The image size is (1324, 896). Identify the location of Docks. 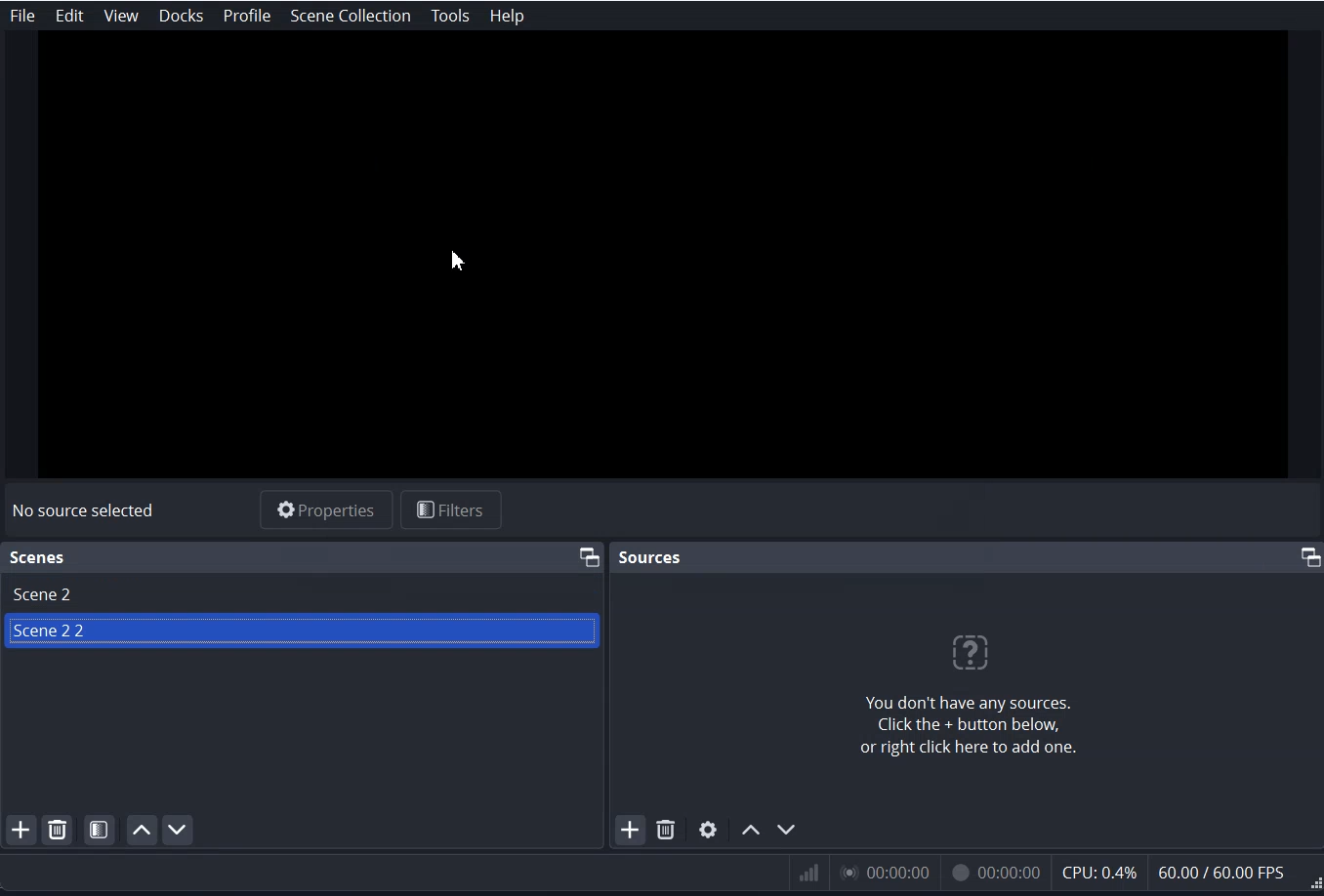
(184, 16).